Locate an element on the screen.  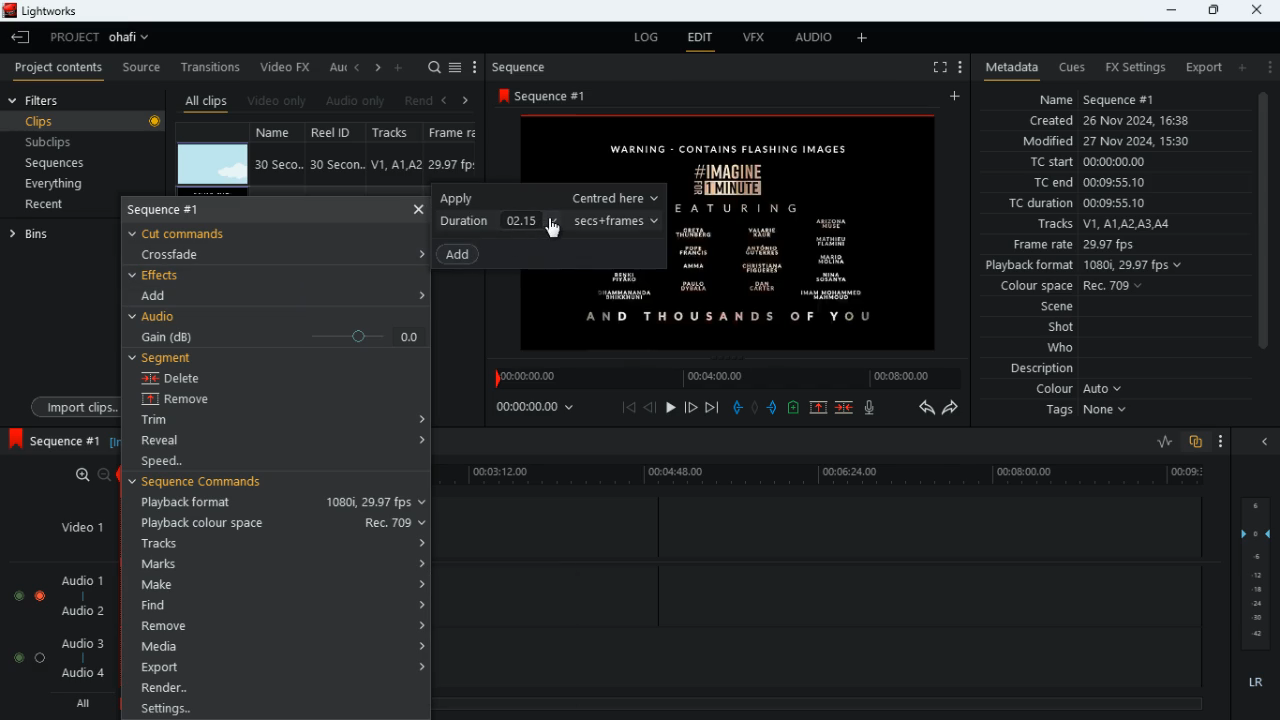
text is located at coordinates (631, 147).